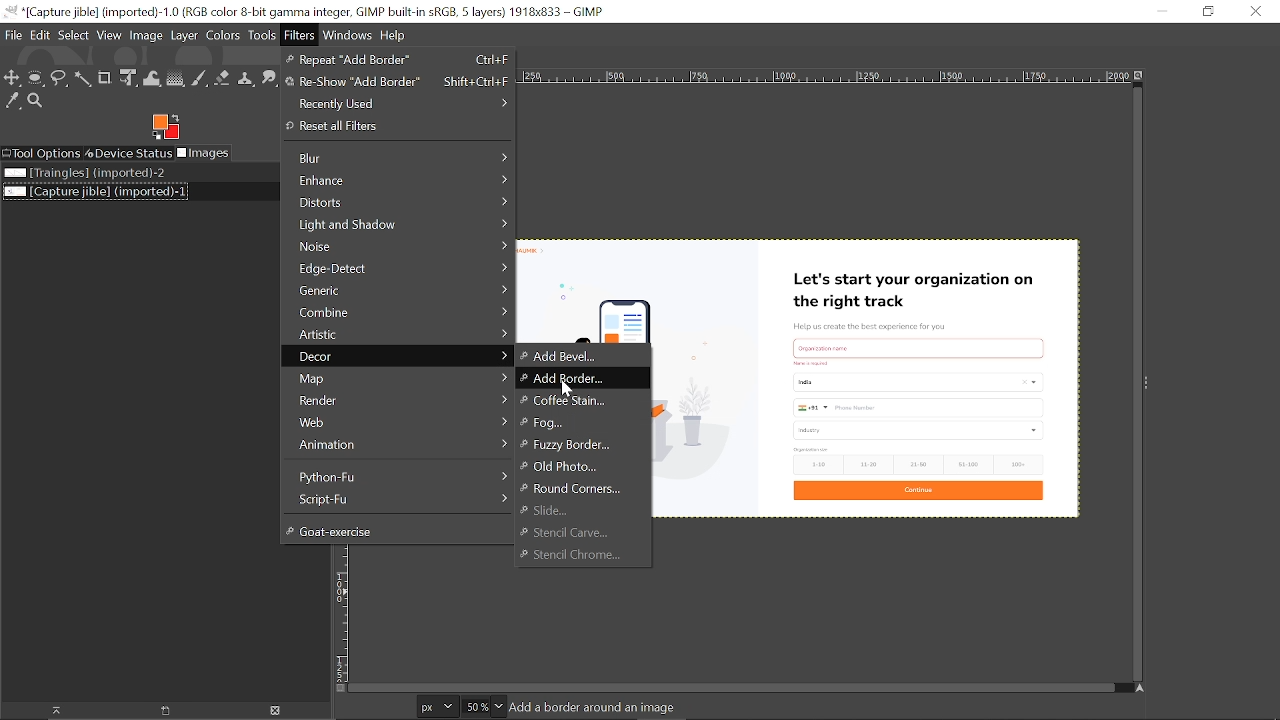 The height and width of the screenshot is (720, 1280). Describe the element at coordinates (1207, 11) in the screenshot. I see `Restore down` at that location.